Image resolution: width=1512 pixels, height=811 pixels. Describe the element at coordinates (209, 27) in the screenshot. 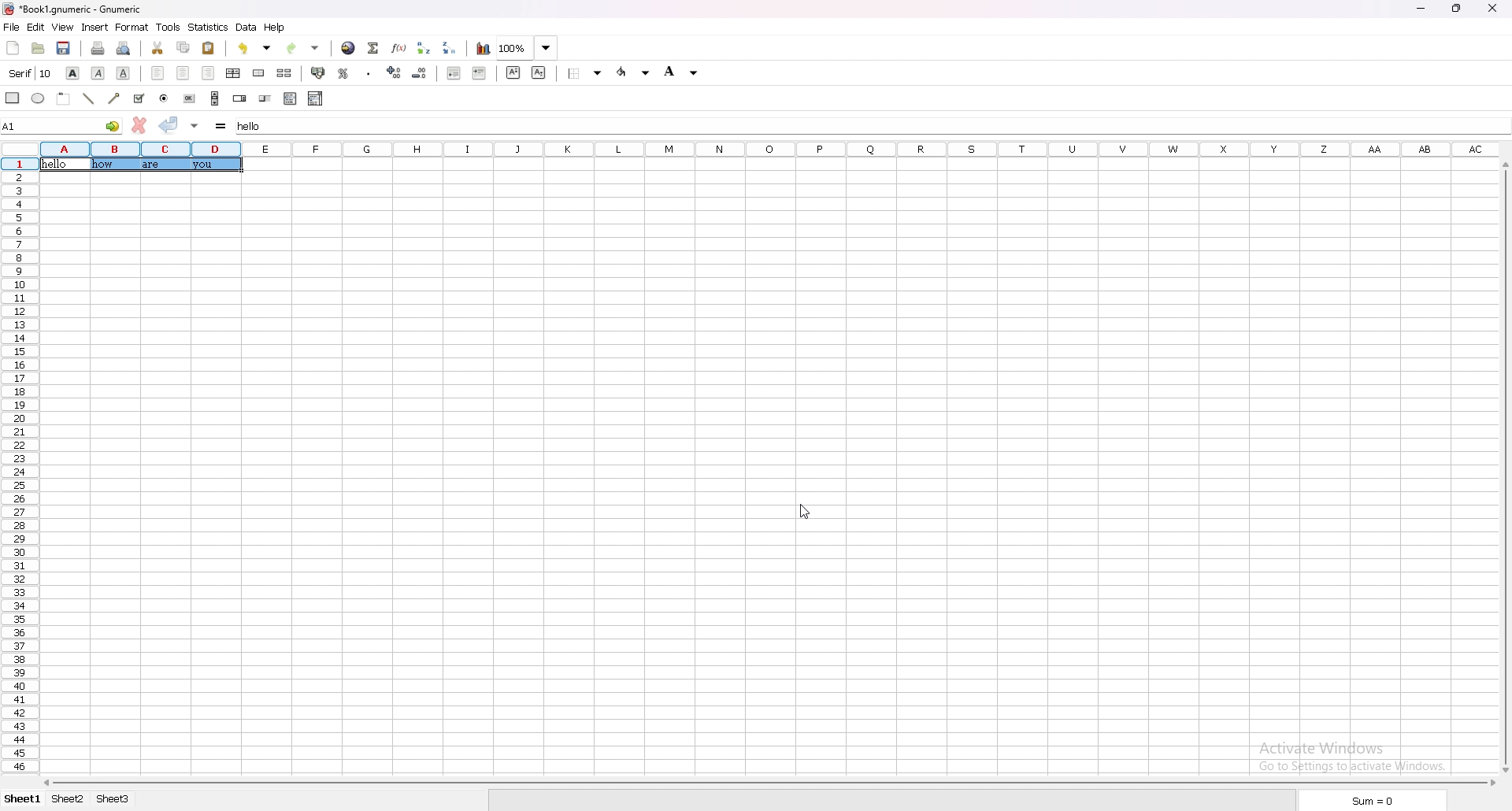

I see `statistics` at that location.